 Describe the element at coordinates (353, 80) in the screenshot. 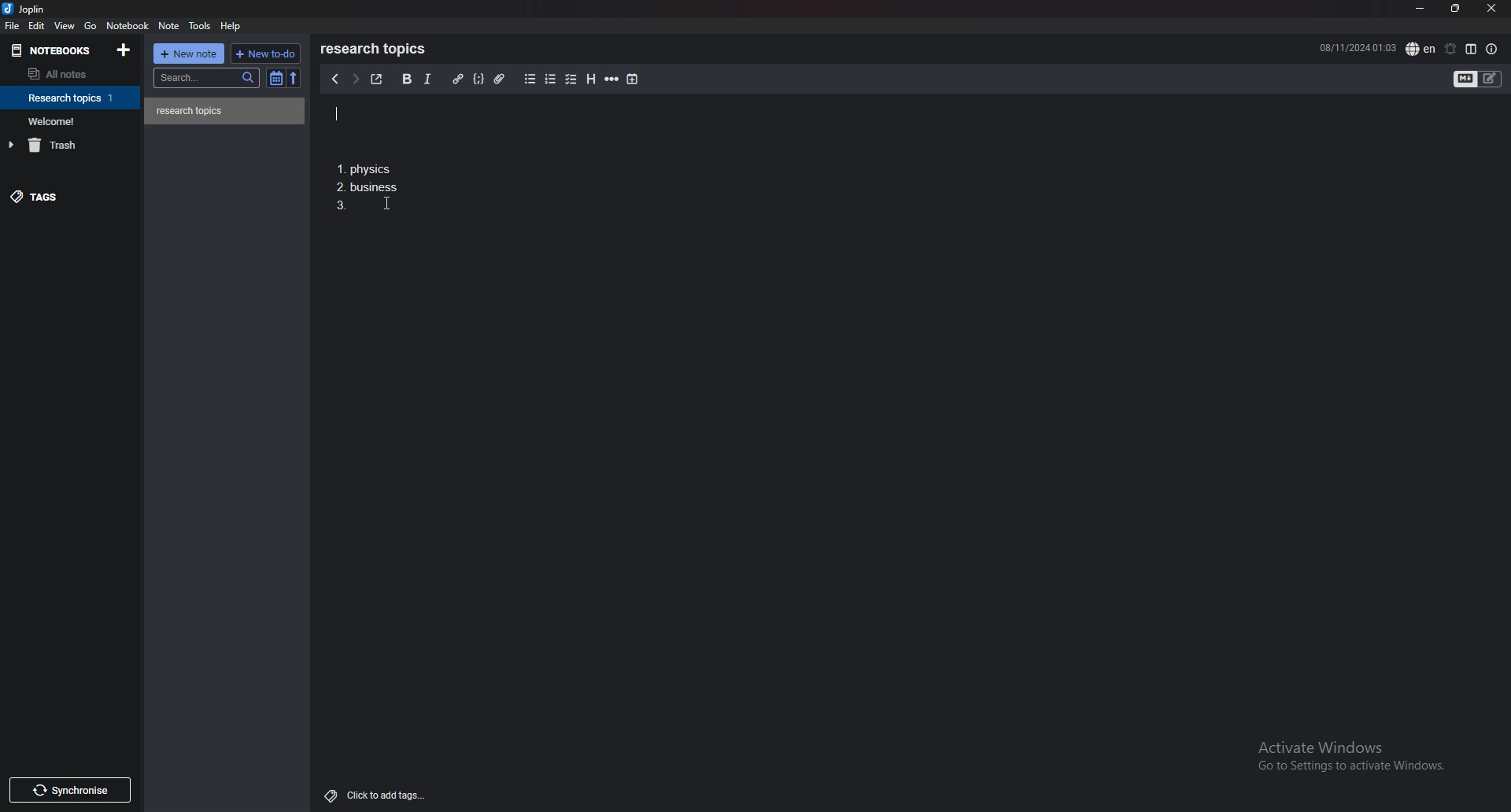

I see `next` at that location.